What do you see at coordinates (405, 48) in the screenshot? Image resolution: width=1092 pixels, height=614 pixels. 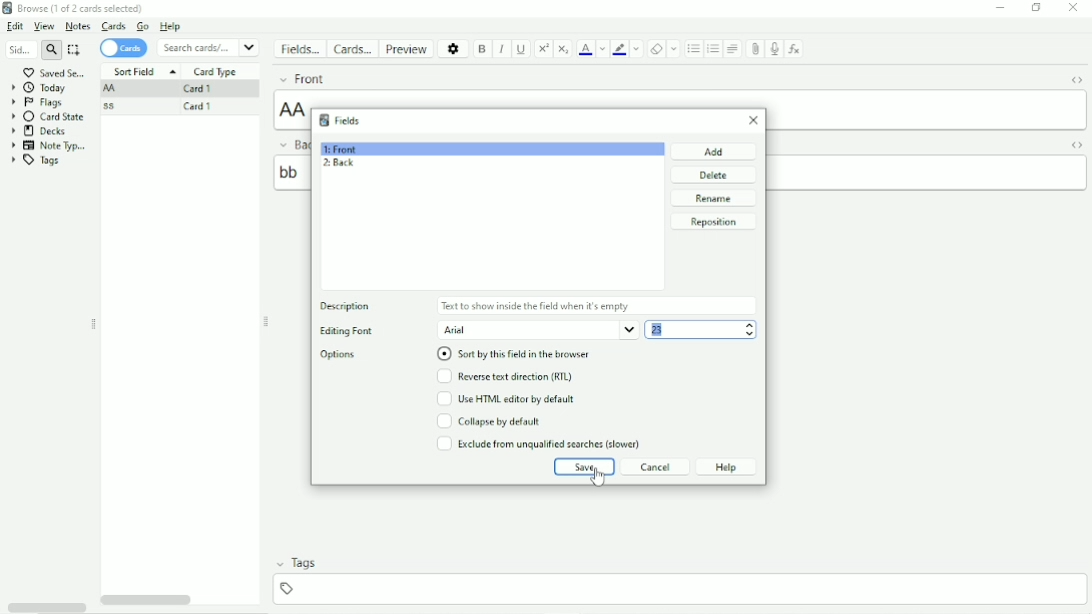 I see `Preview` at bounding box center [405, 48].